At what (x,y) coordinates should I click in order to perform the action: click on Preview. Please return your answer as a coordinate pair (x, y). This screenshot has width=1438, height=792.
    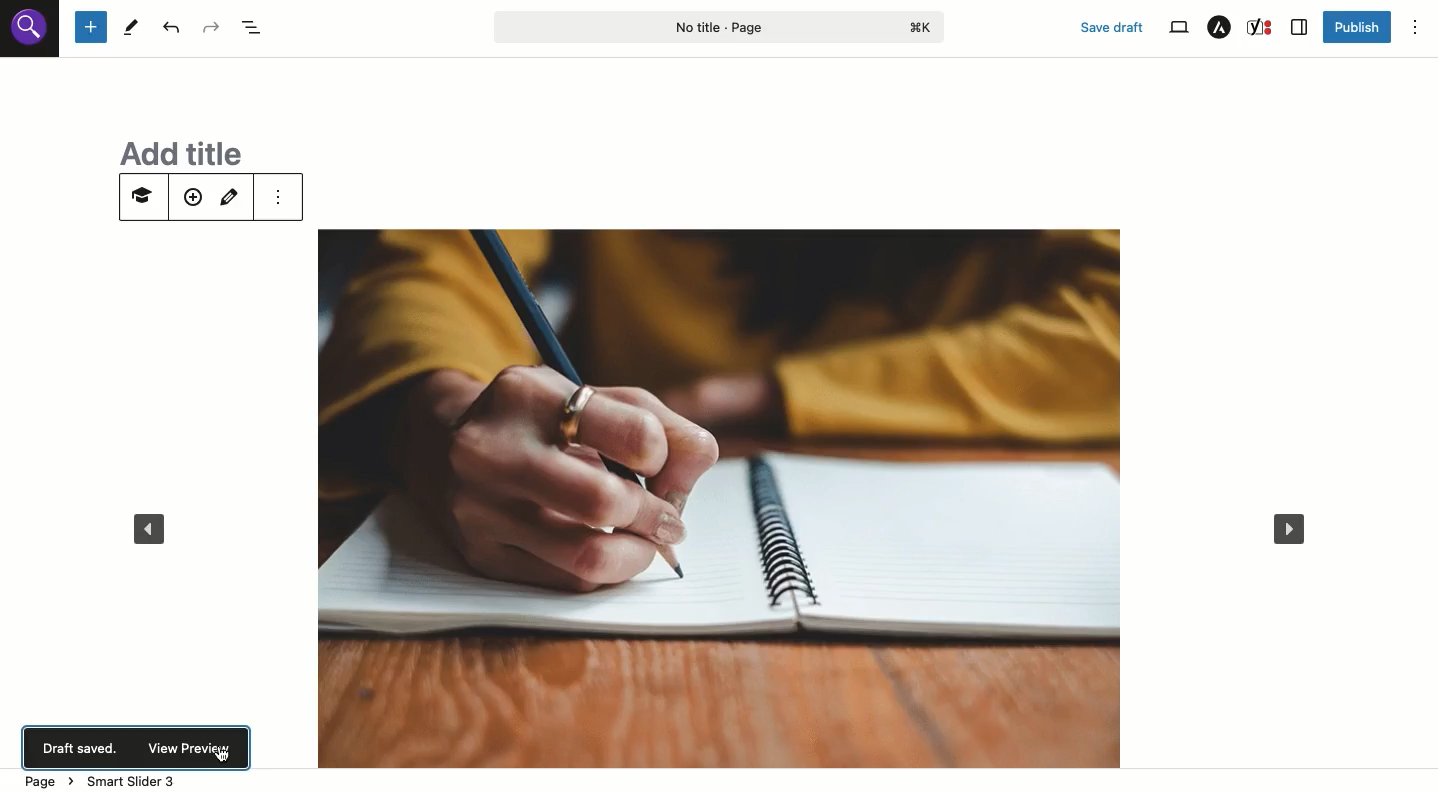
    Looking at the image, I should click on (187, 751).